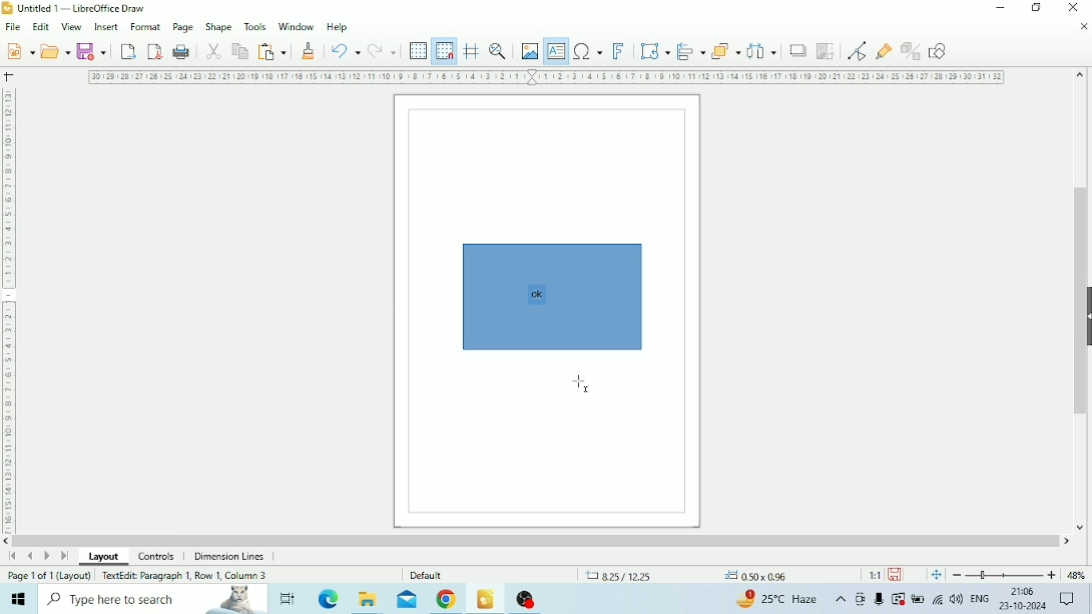 This screenshot has height=614, width=1092. What do you see at coordinates (310, 51) in the screenshot?
I see `Clone Formatting` at bounding box center [310, 51].